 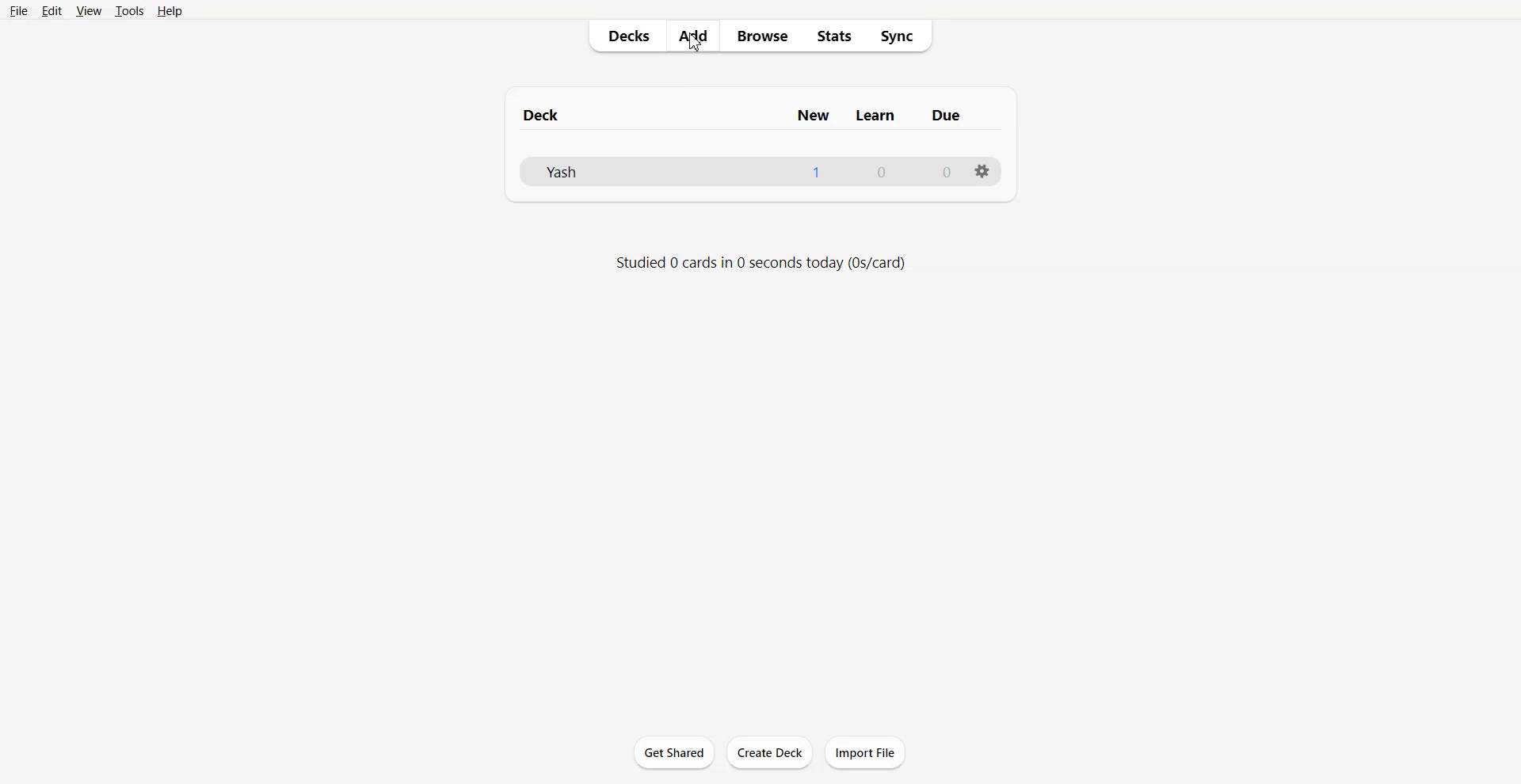 I want to click on Import File, so click(x=866, y=752).